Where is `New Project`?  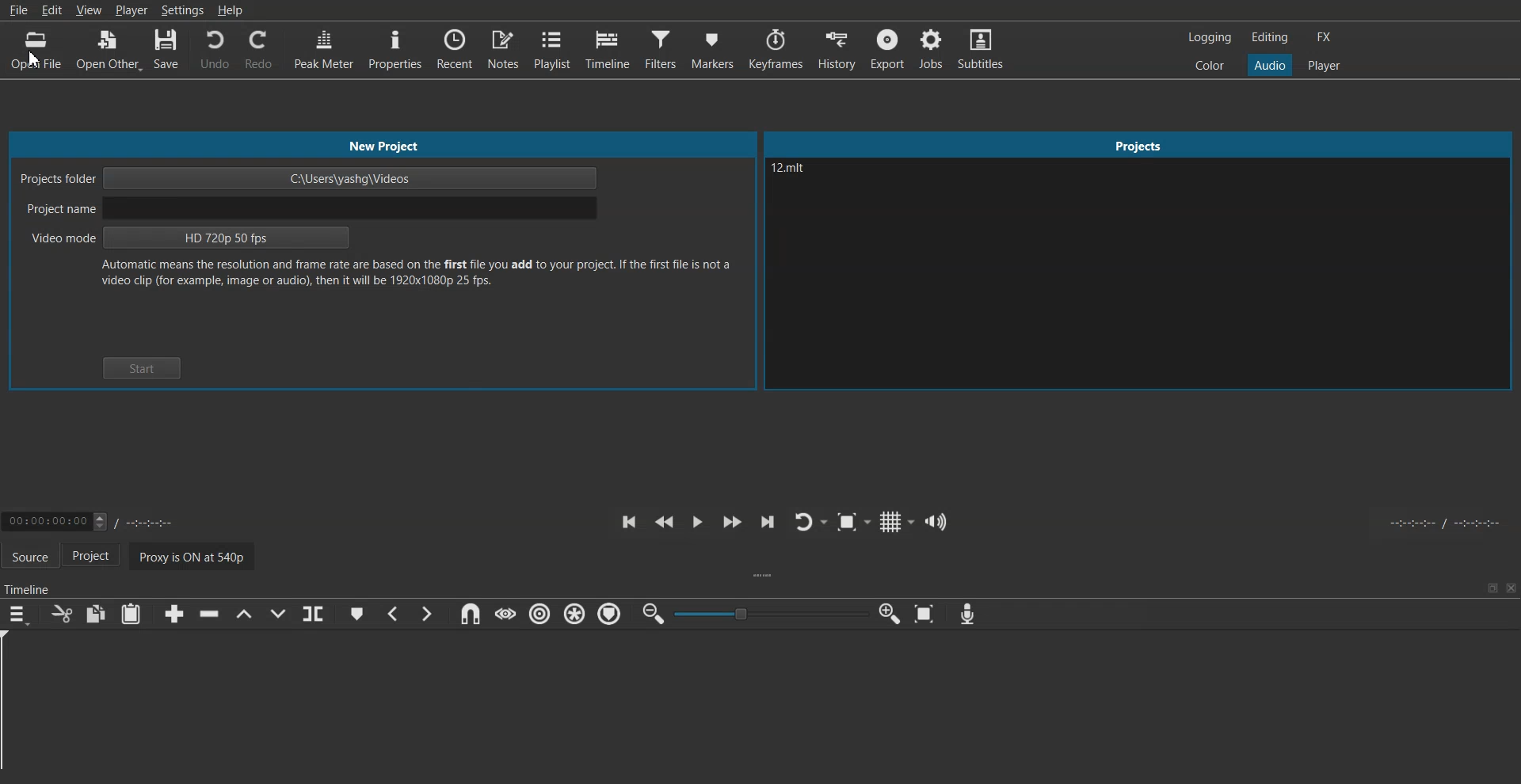 New Project is located at coordinates (381, 145).